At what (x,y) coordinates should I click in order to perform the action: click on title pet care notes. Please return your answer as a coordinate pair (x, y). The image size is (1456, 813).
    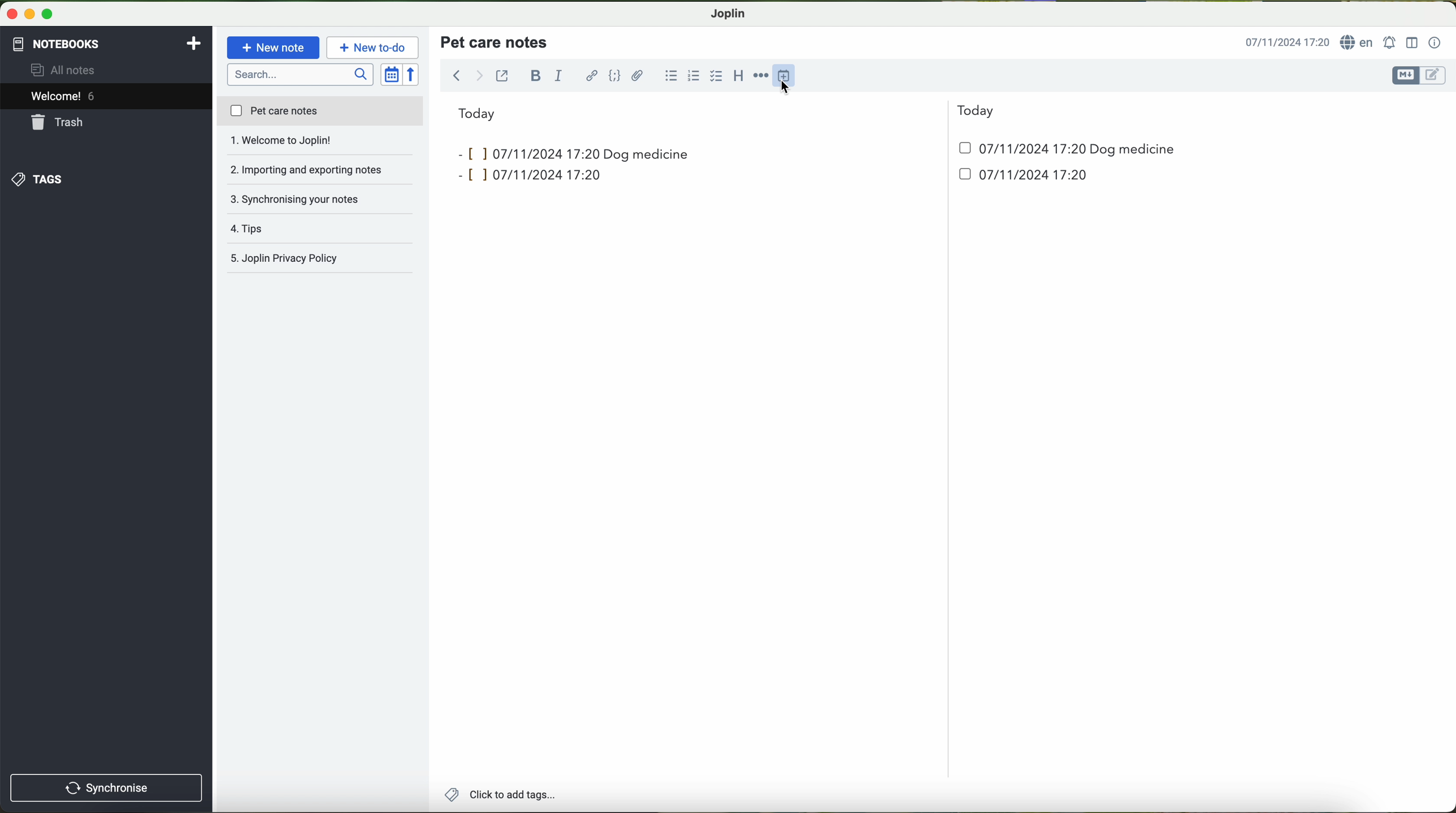
    Looking at the image, I should click on (496, 41).